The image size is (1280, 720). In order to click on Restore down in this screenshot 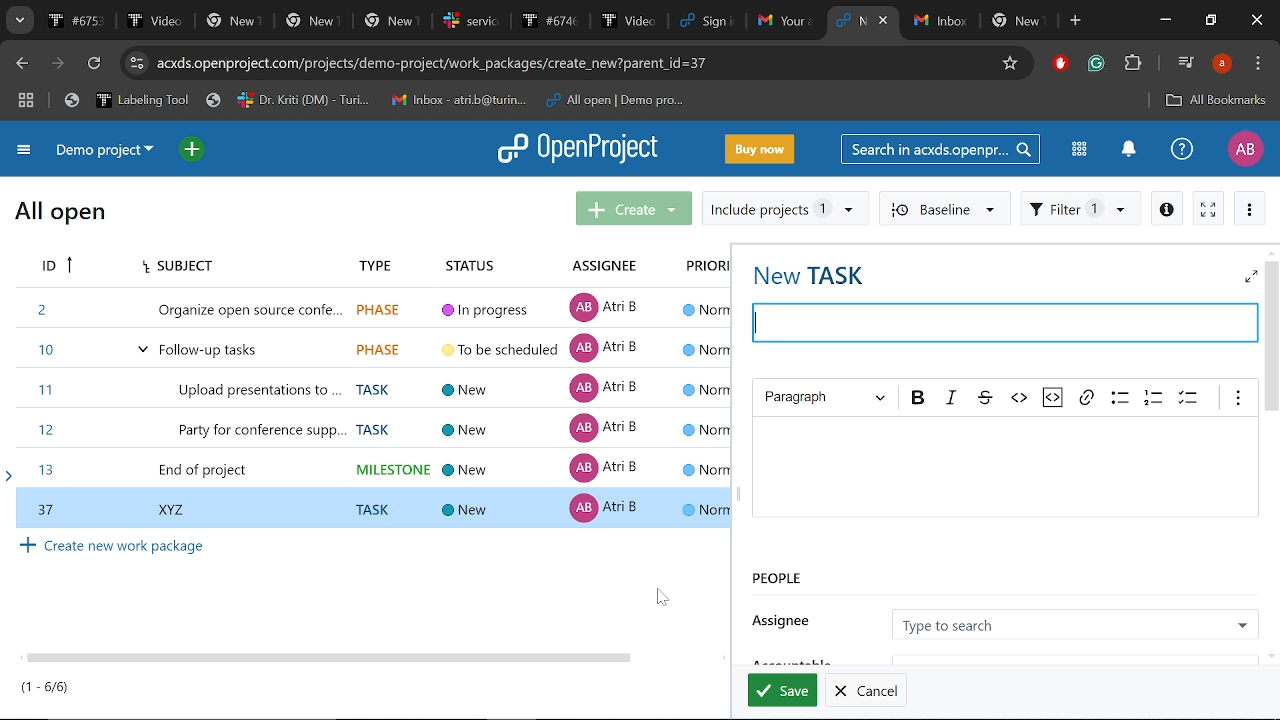, I will do `click(1210, 21)`.